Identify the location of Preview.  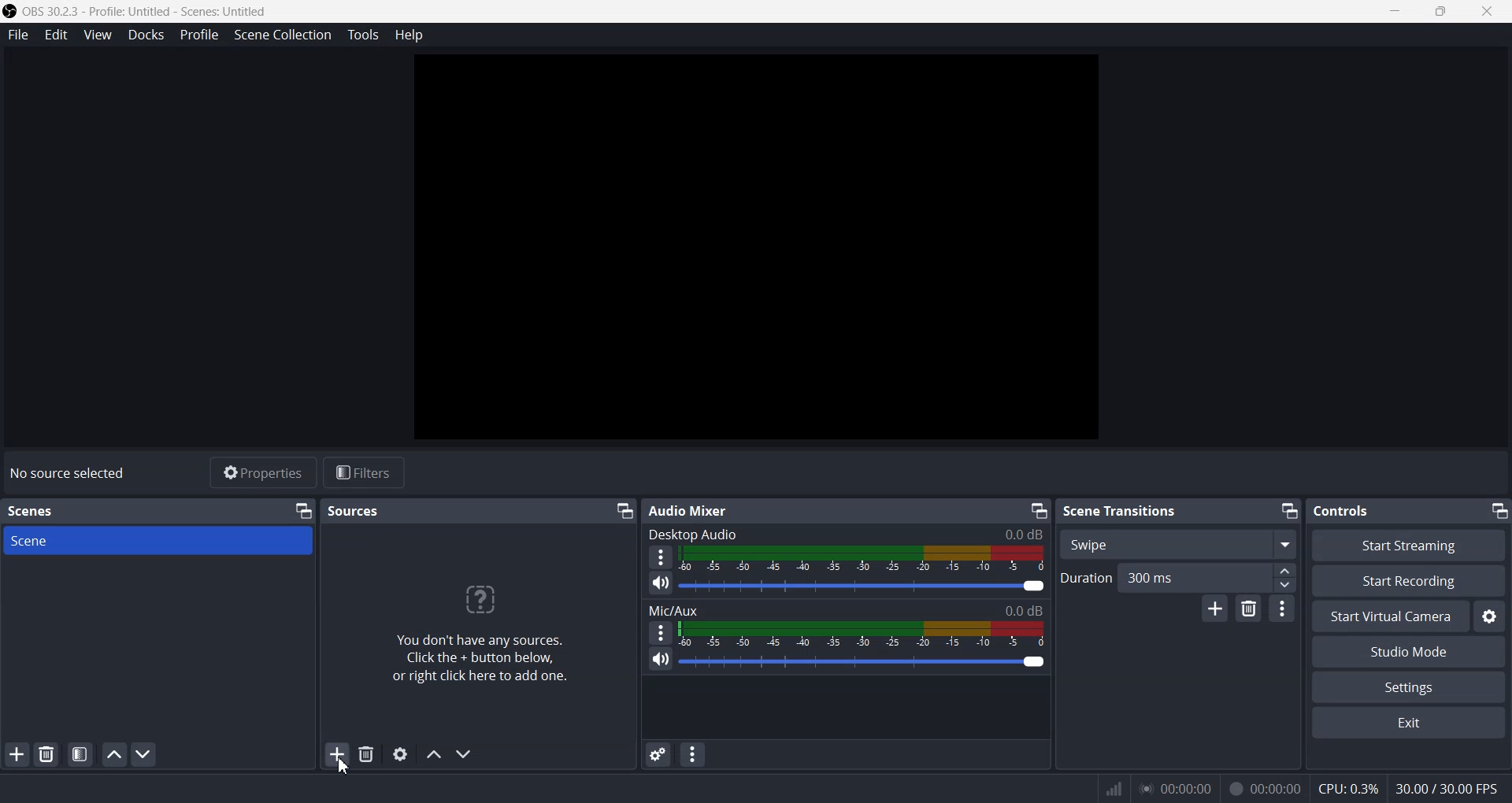
(756, 246).